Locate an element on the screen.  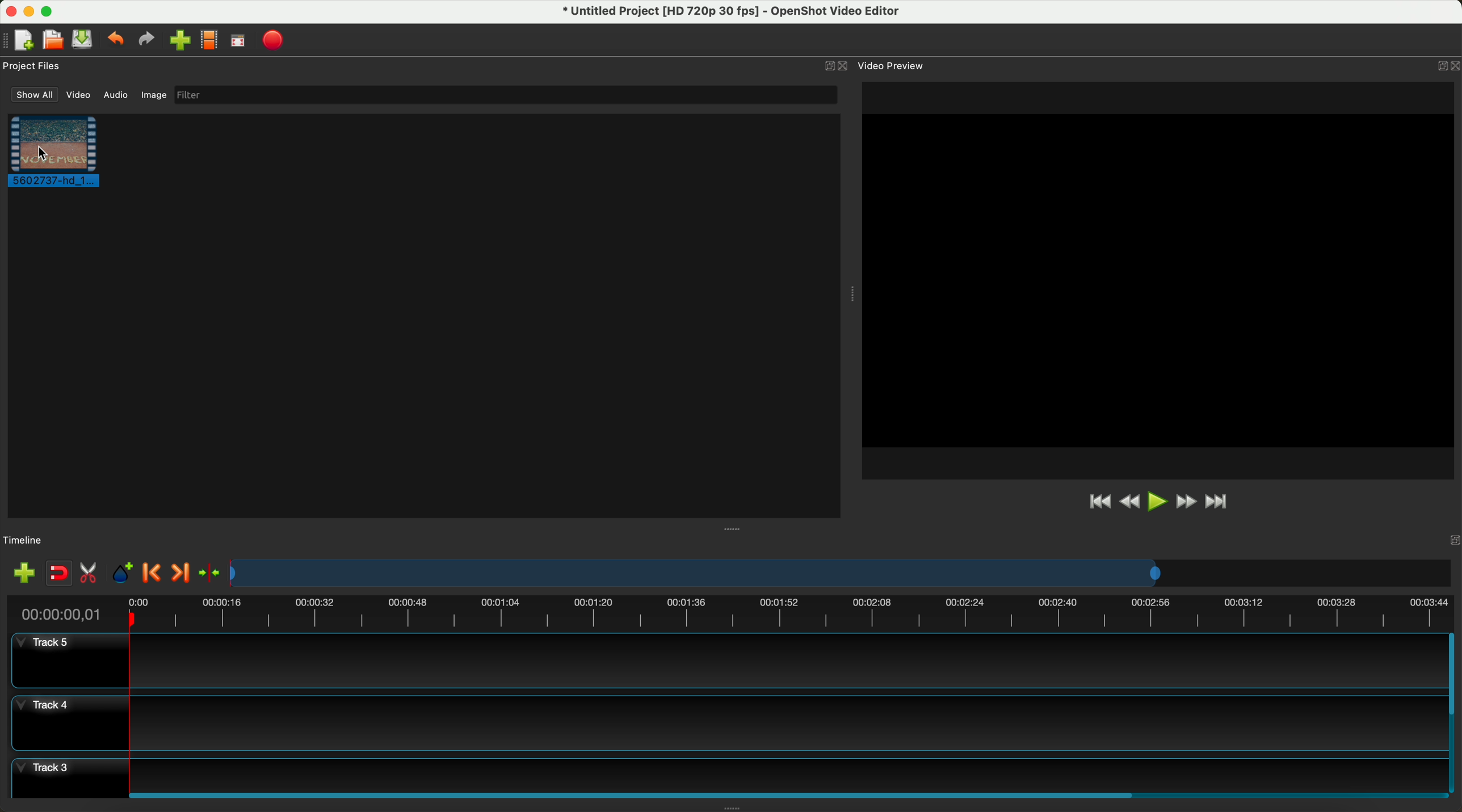
fast foward is located at coordinates (1186, 501).